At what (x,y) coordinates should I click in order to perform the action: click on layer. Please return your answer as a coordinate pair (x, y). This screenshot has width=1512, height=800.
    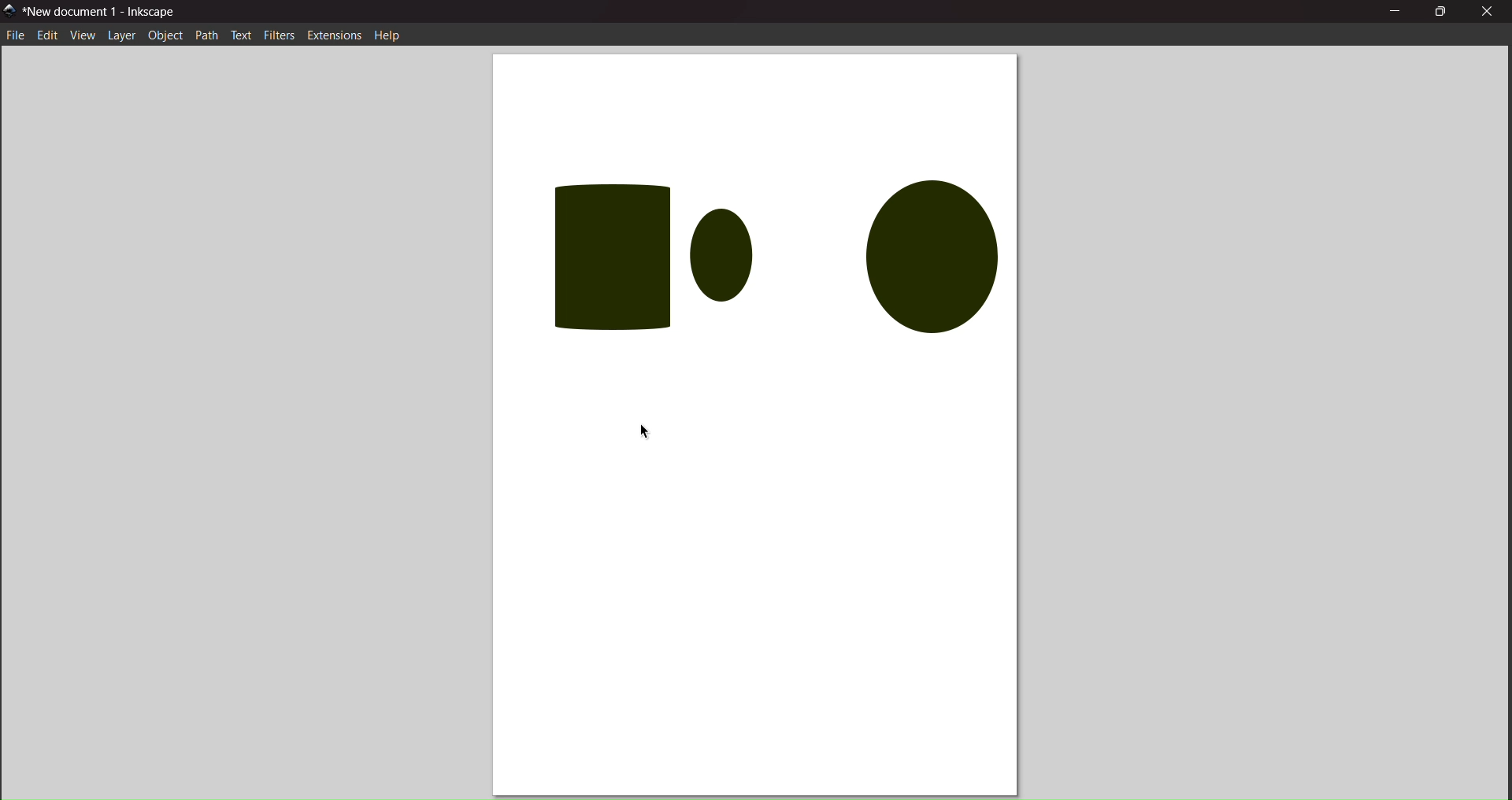
    Looking at the image, I should click on (120, 35).